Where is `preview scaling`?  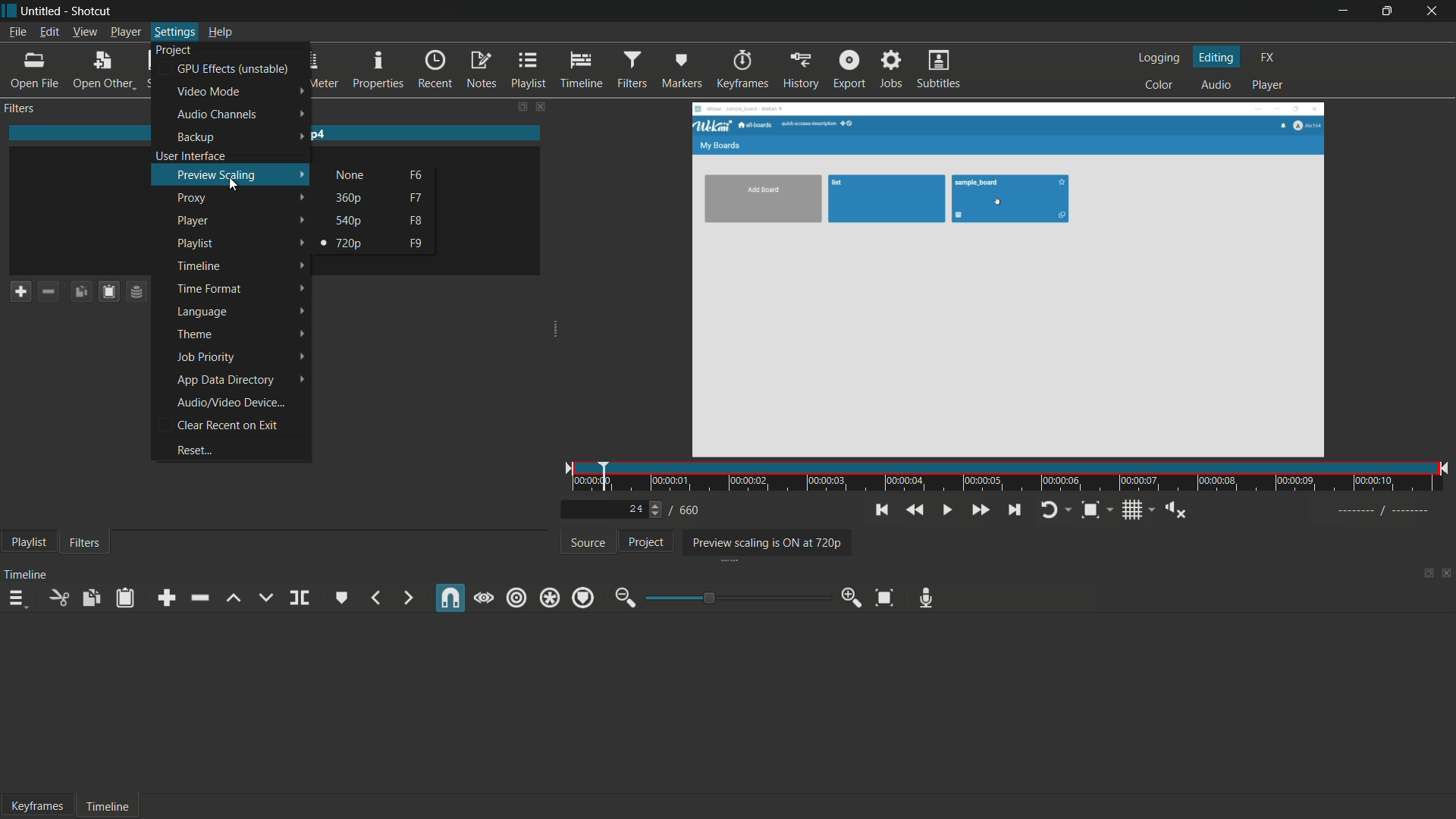
preview scaling is located at coordinates (218, 174).